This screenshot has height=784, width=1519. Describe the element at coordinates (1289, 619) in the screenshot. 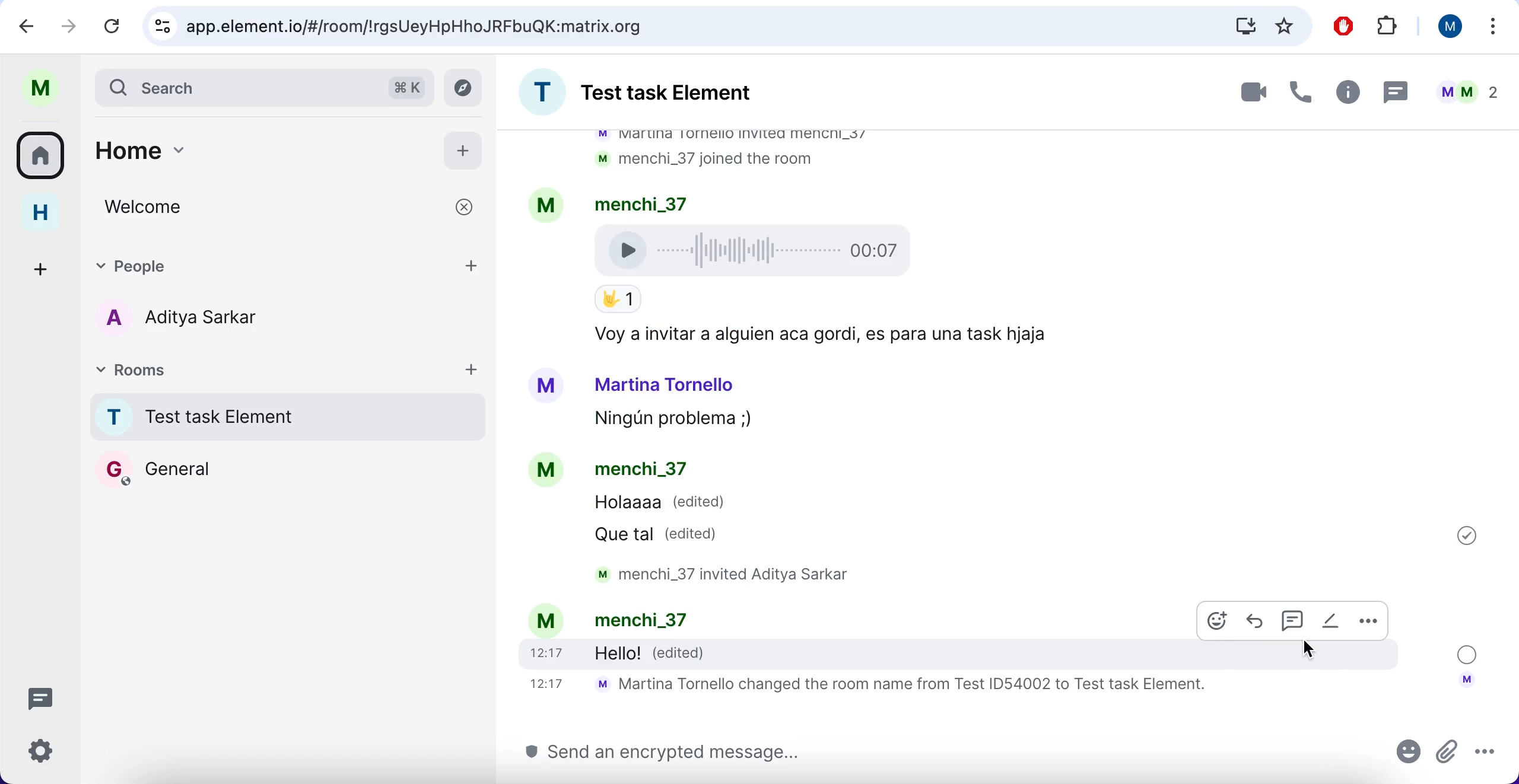

I see `chat` at that location.